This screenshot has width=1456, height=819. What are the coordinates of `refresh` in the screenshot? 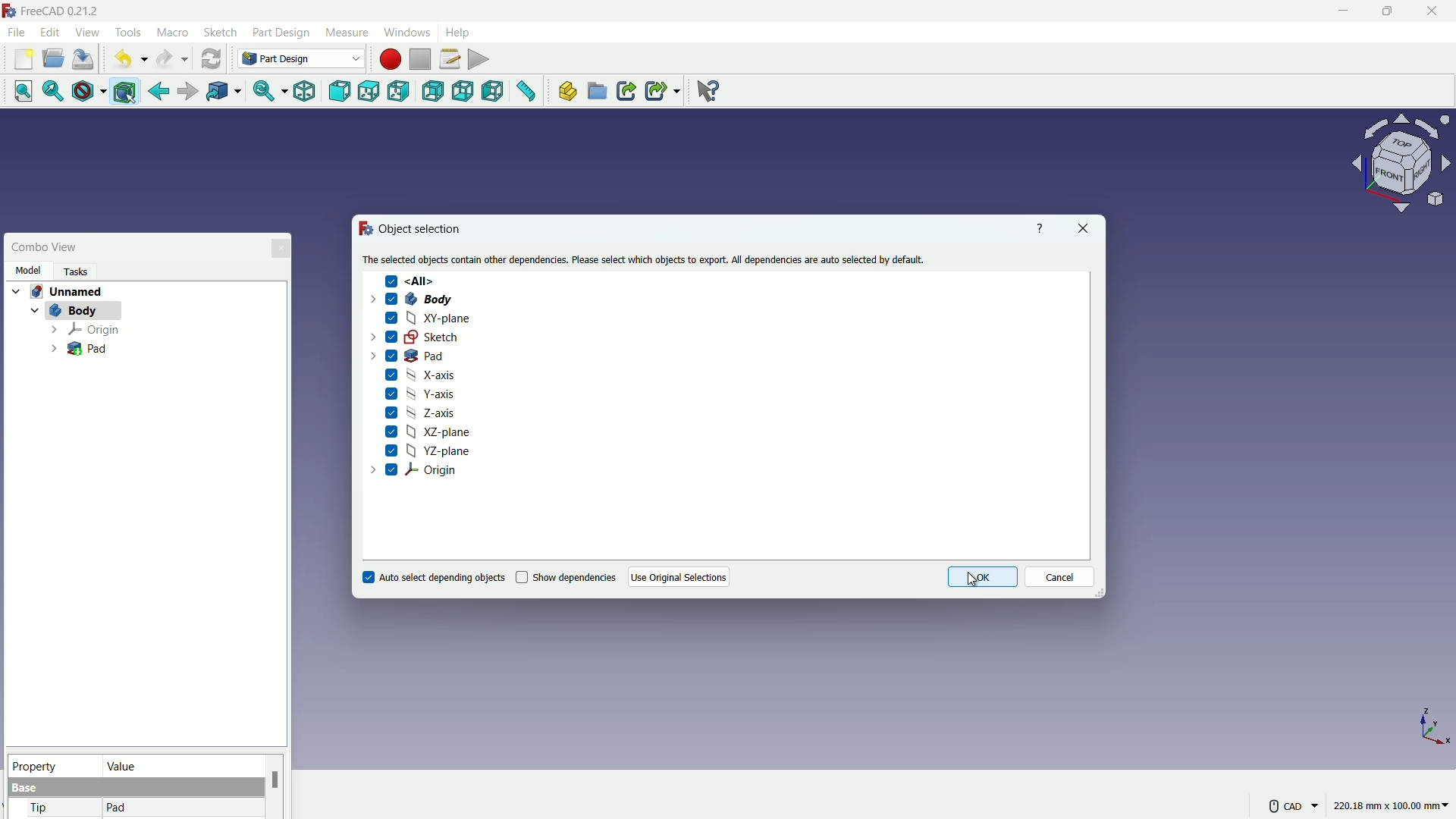 It's located at (211, 58).